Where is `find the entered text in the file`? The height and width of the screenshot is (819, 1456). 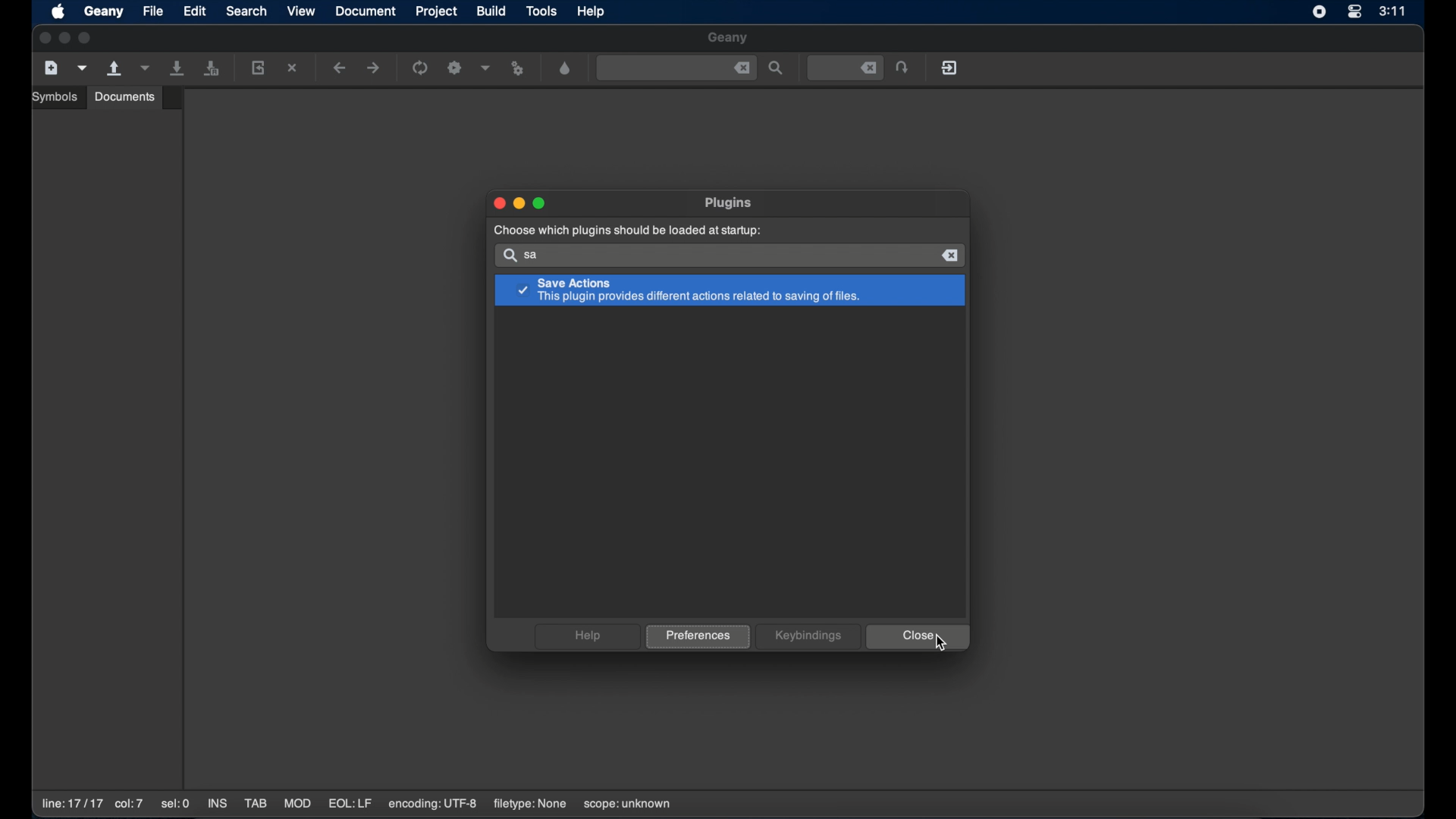 find the entered text in the file is located at coordinates (777, 69).